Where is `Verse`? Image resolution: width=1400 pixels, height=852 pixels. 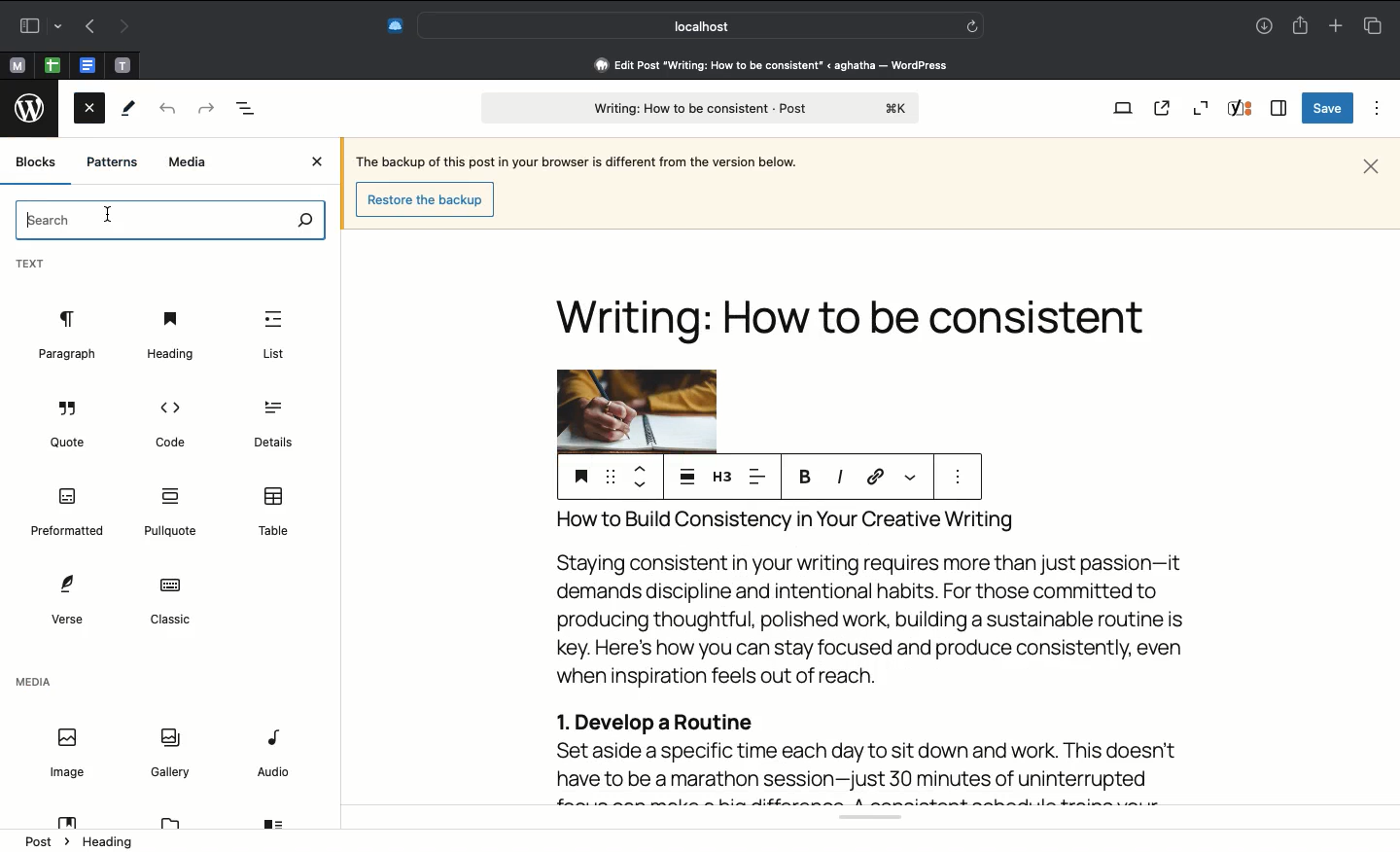 Verse is located at coordinates (65, 599).